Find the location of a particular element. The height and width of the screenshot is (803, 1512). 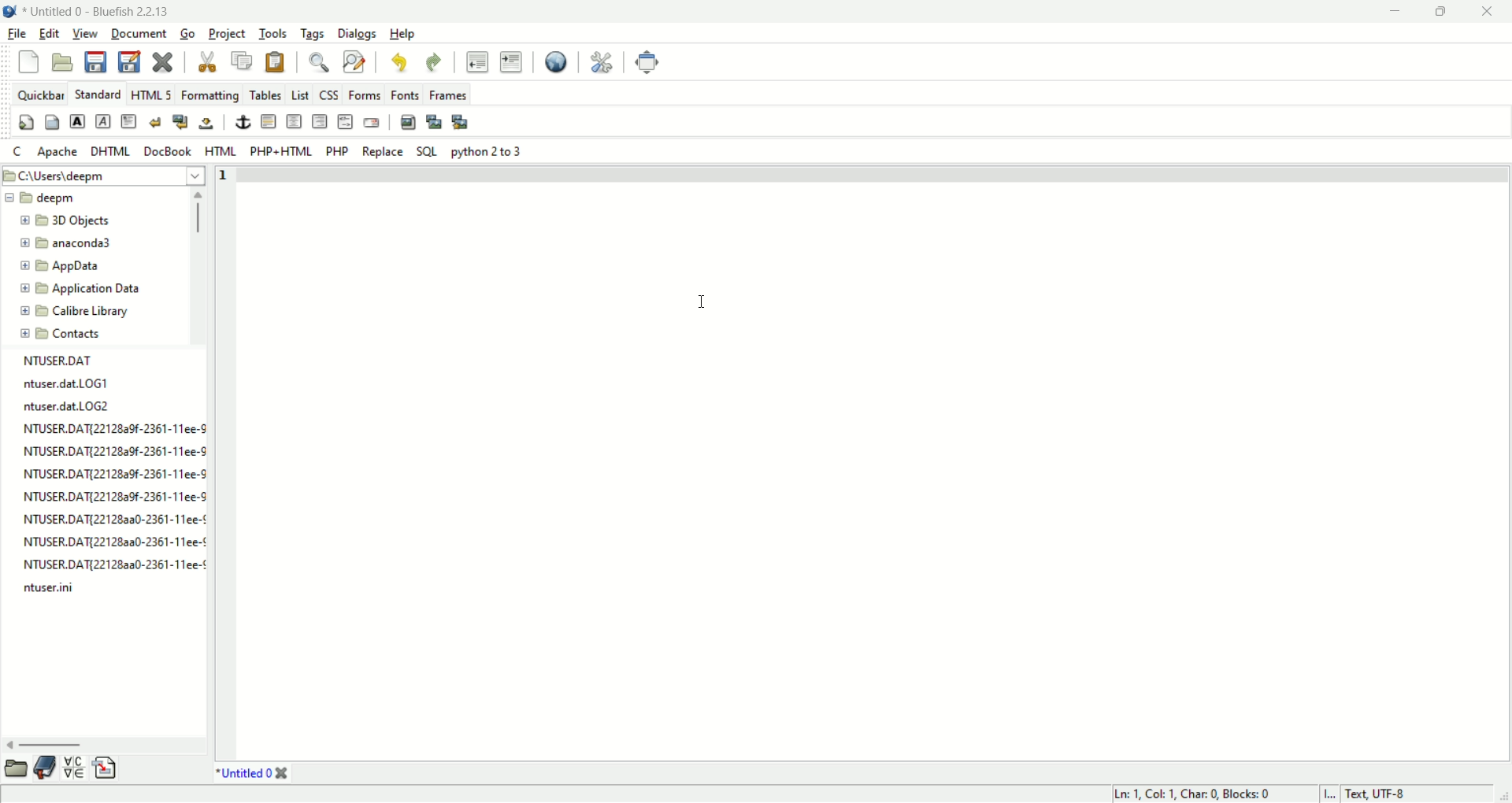

project is located at coordinates (229, 34).